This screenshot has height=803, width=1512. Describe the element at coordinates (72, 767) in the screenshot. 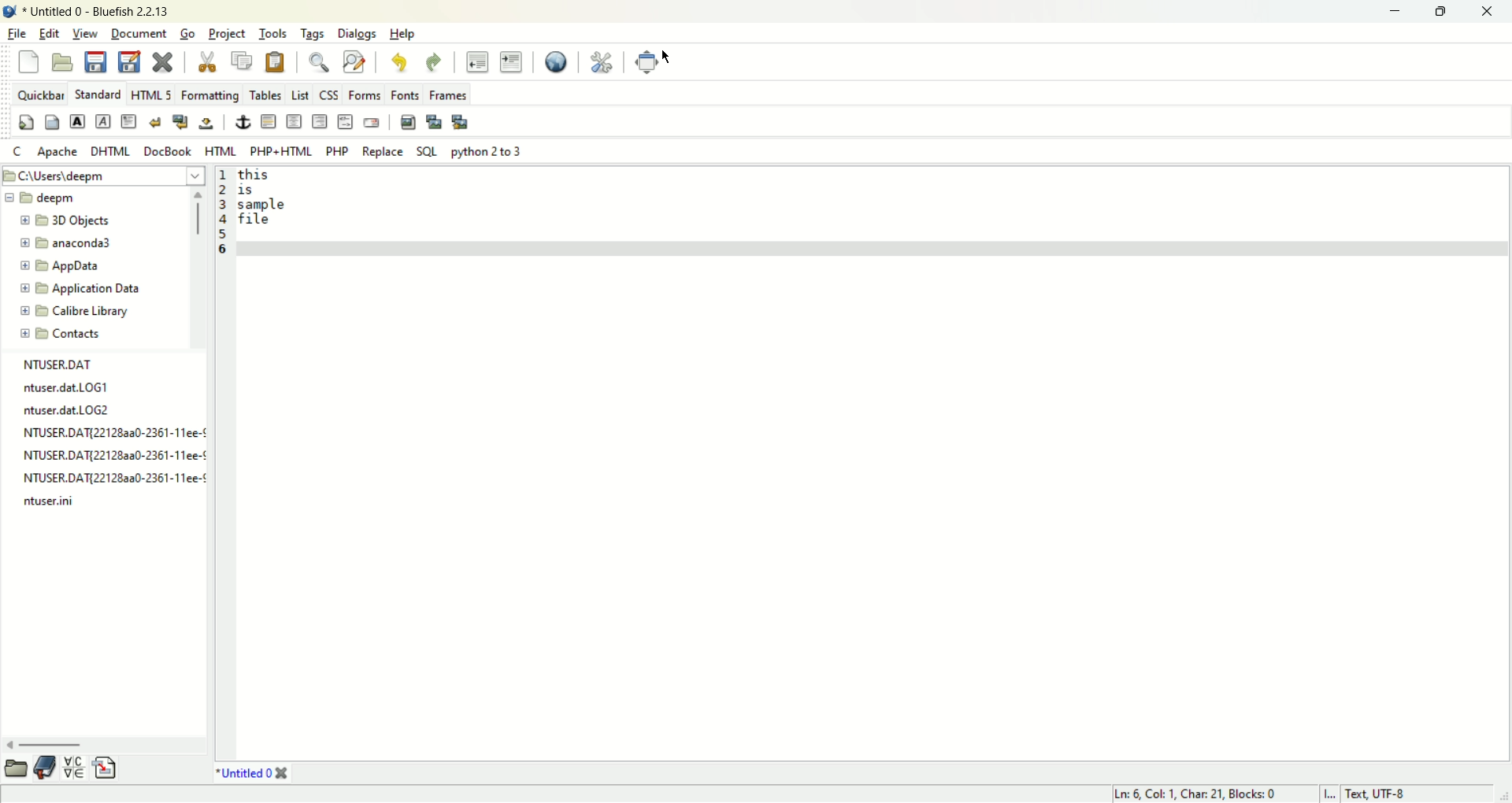

I see `charmap` at that location.